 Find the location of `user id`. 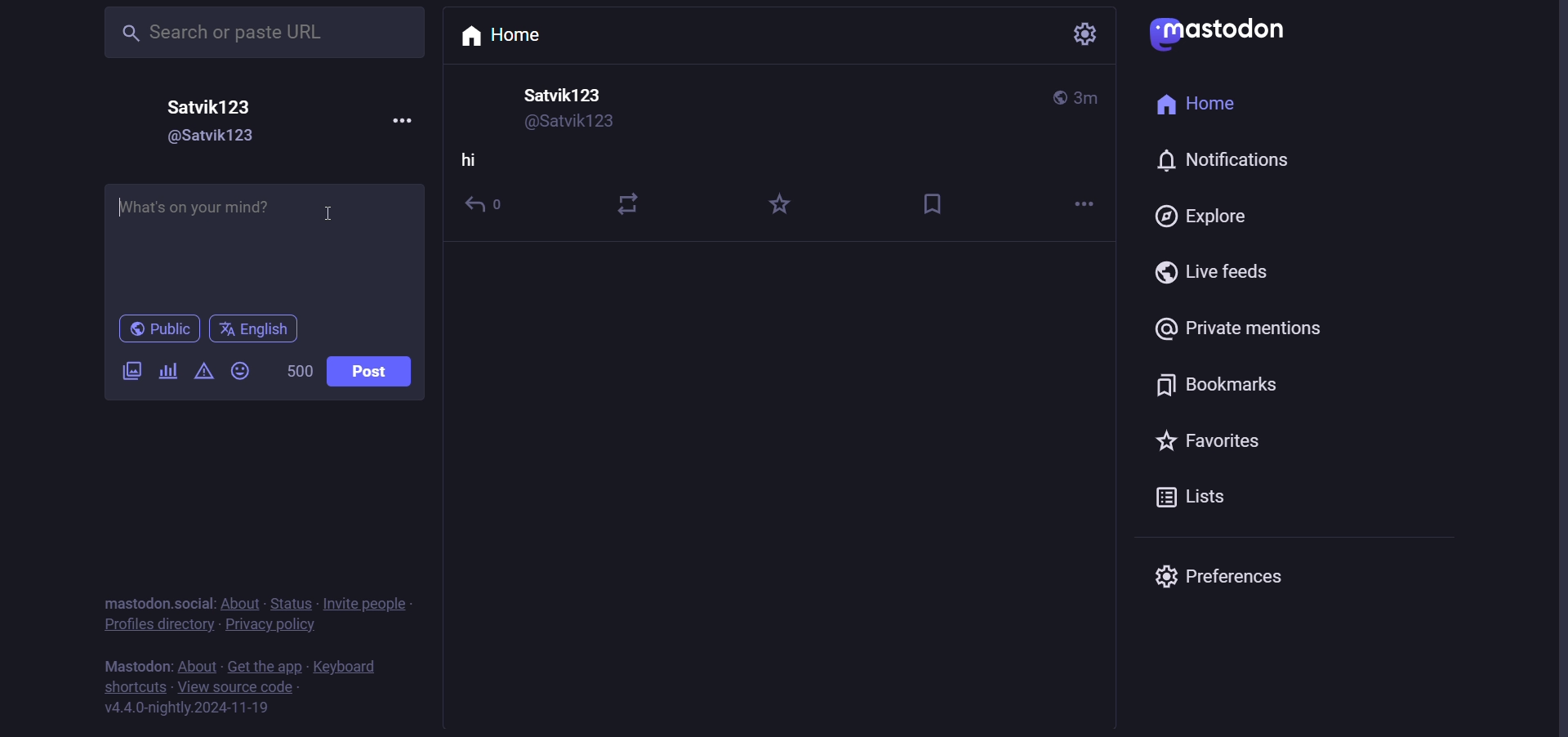

user id is located at coordinates (575, 123).